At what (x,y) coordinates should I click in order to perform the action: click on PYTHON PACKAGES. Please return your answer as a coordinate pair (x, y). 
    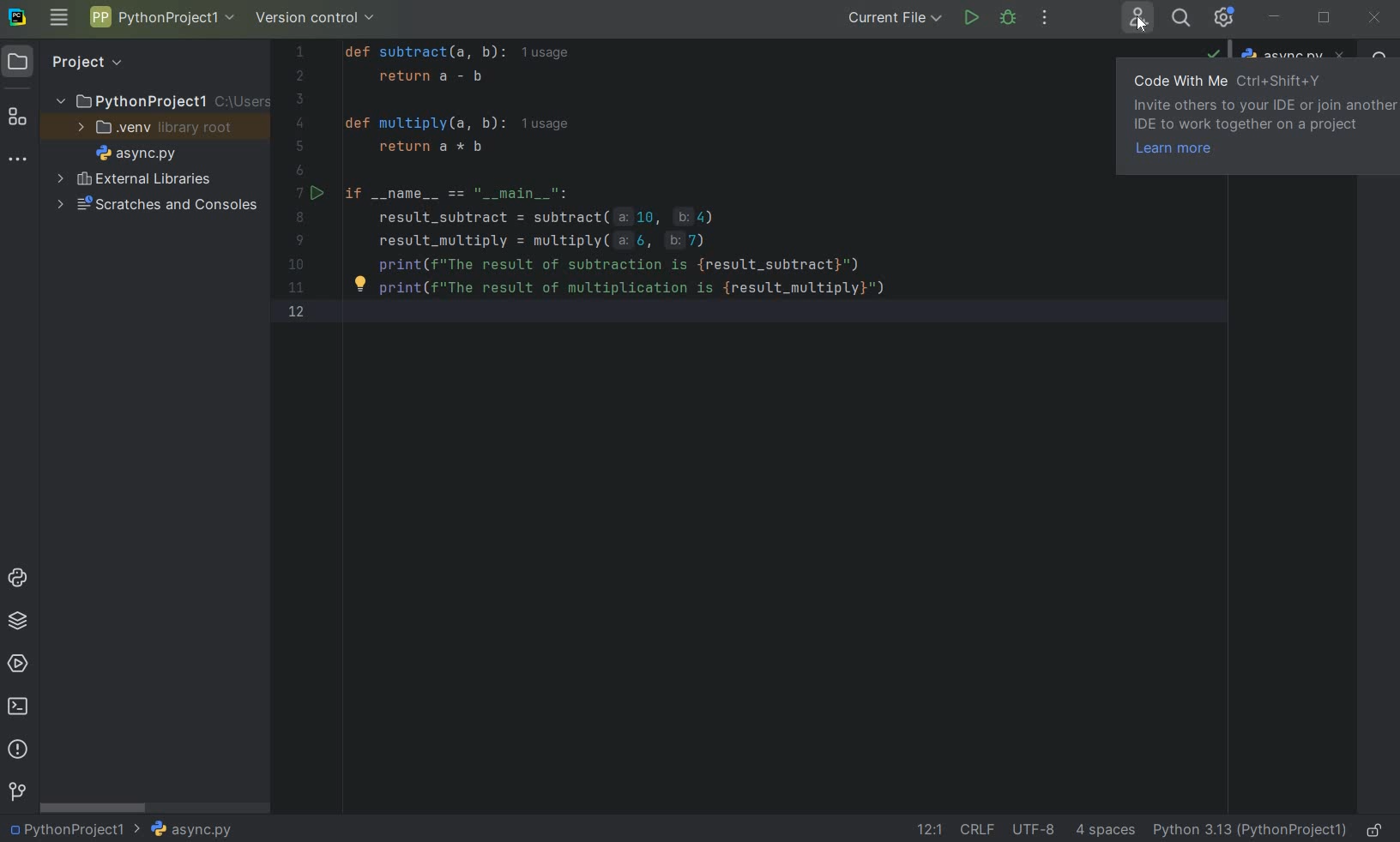
    Looking at the image, I should click on (17, 623).